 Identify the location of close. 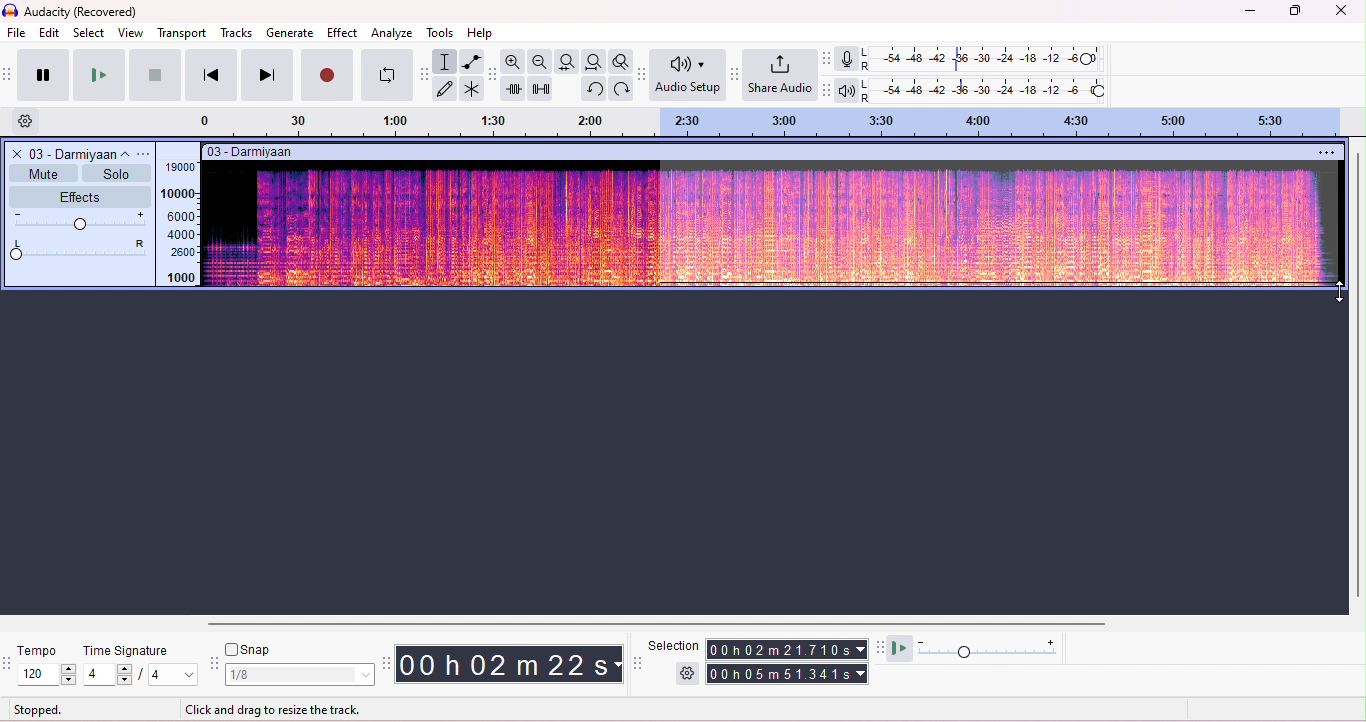
(15, 153).